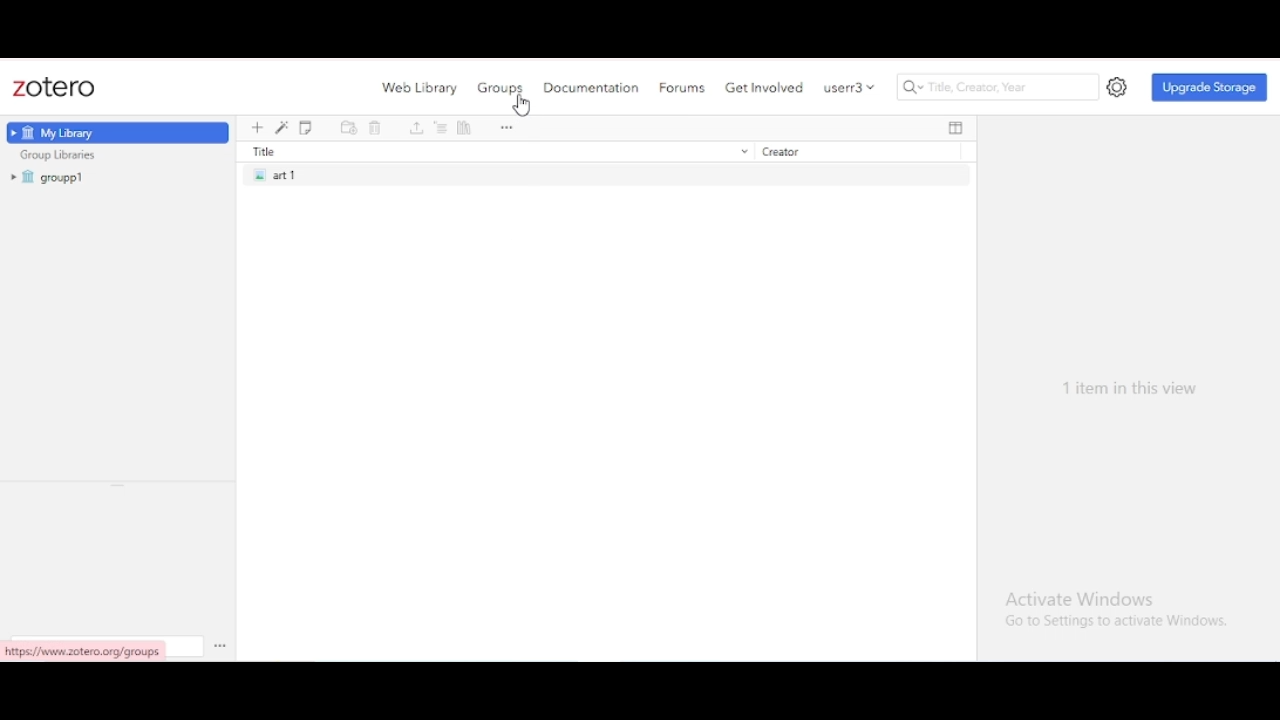  What do you see at coordinates (442, 129) in the screenshot?
I see `create citations` at bounding box center [442, 129].